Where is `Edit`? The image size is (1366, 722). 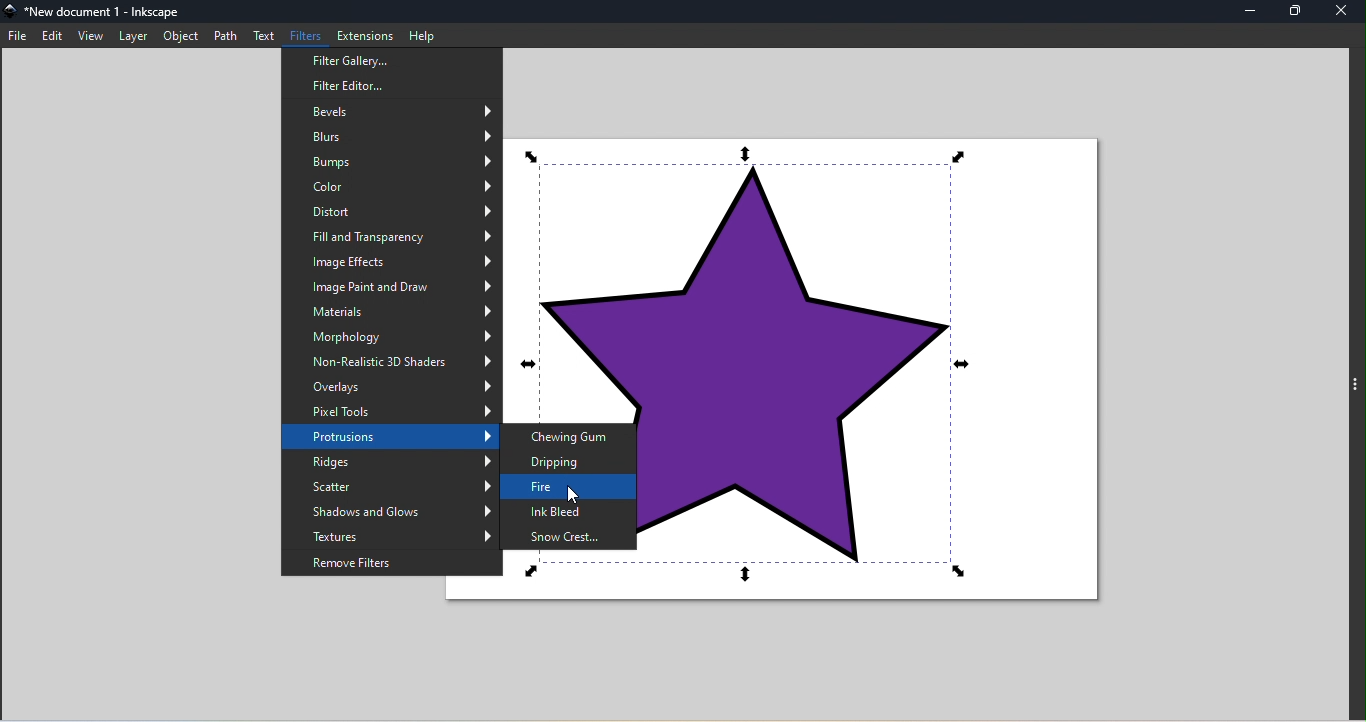
Edit is located at coordinates (55, 37).